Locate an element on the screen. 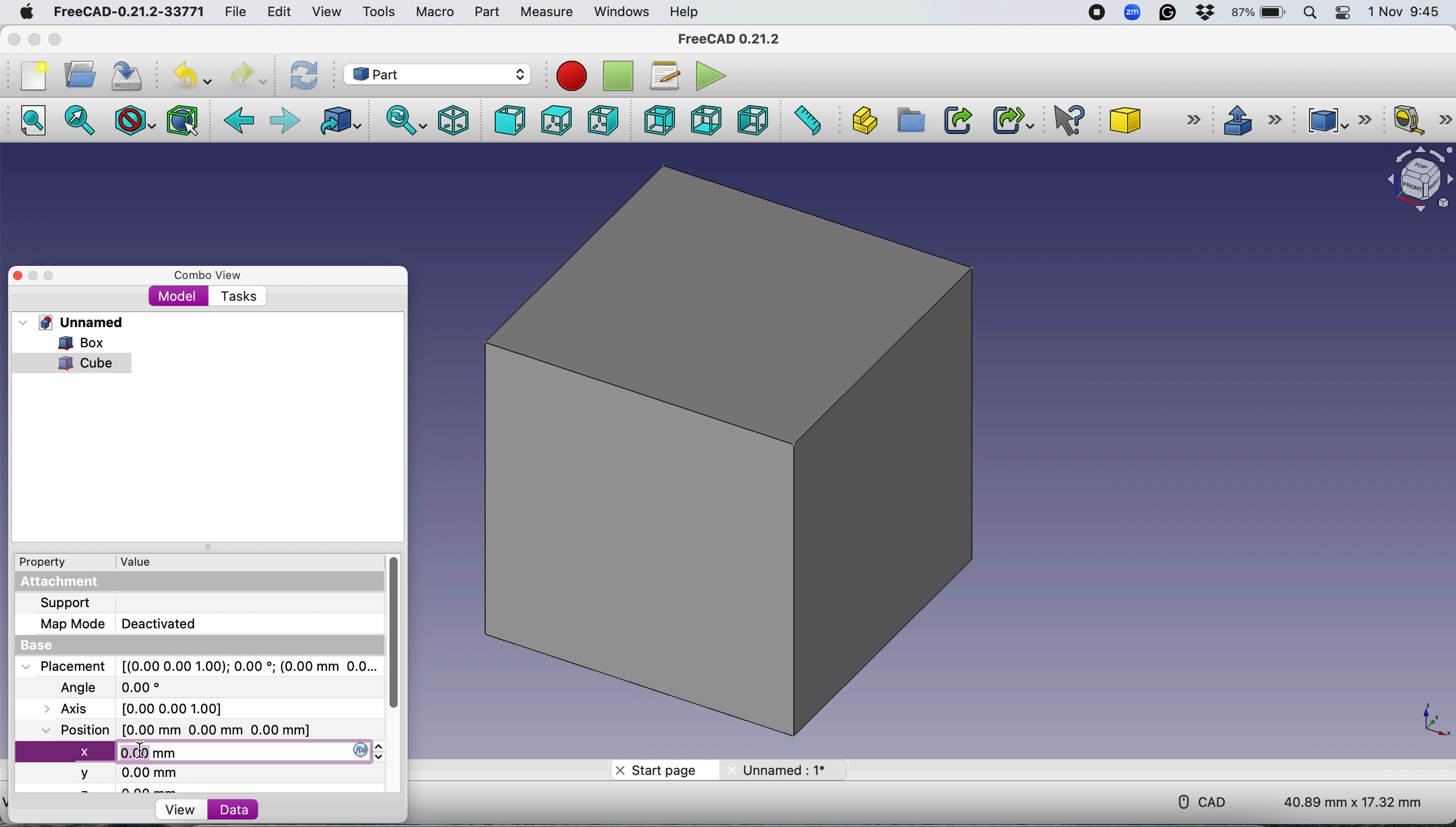 The width and height of the screenshot is (1456, 827). Save is located at coordinates (130, 73).